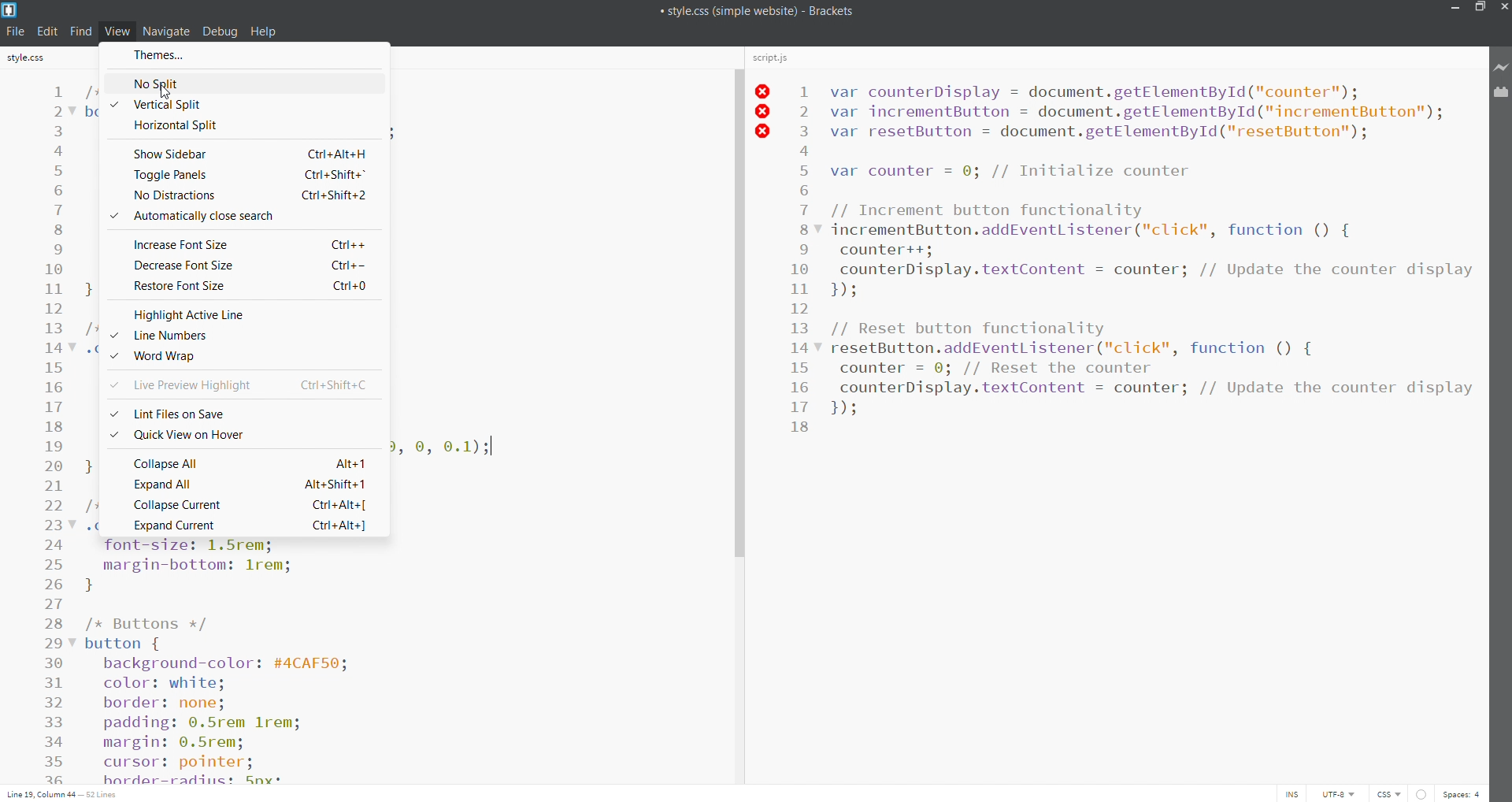  What do you see at coordinates (241, 435) in the screenshot?
I see `quick view on hover` at bounding box center [241, 435].